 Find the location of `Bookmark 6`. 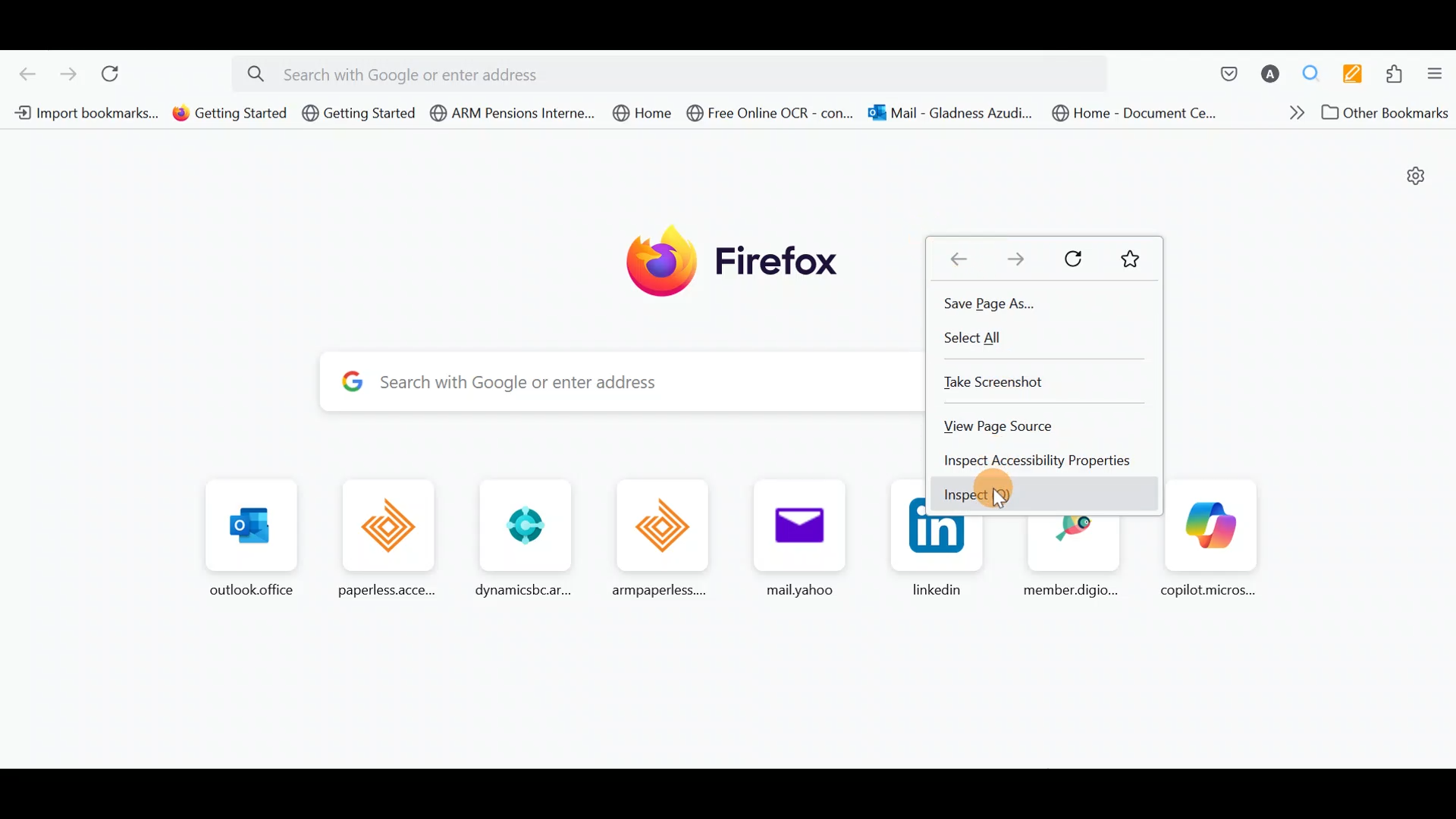

Bookmark 6 is located at coordinates (770, 117).